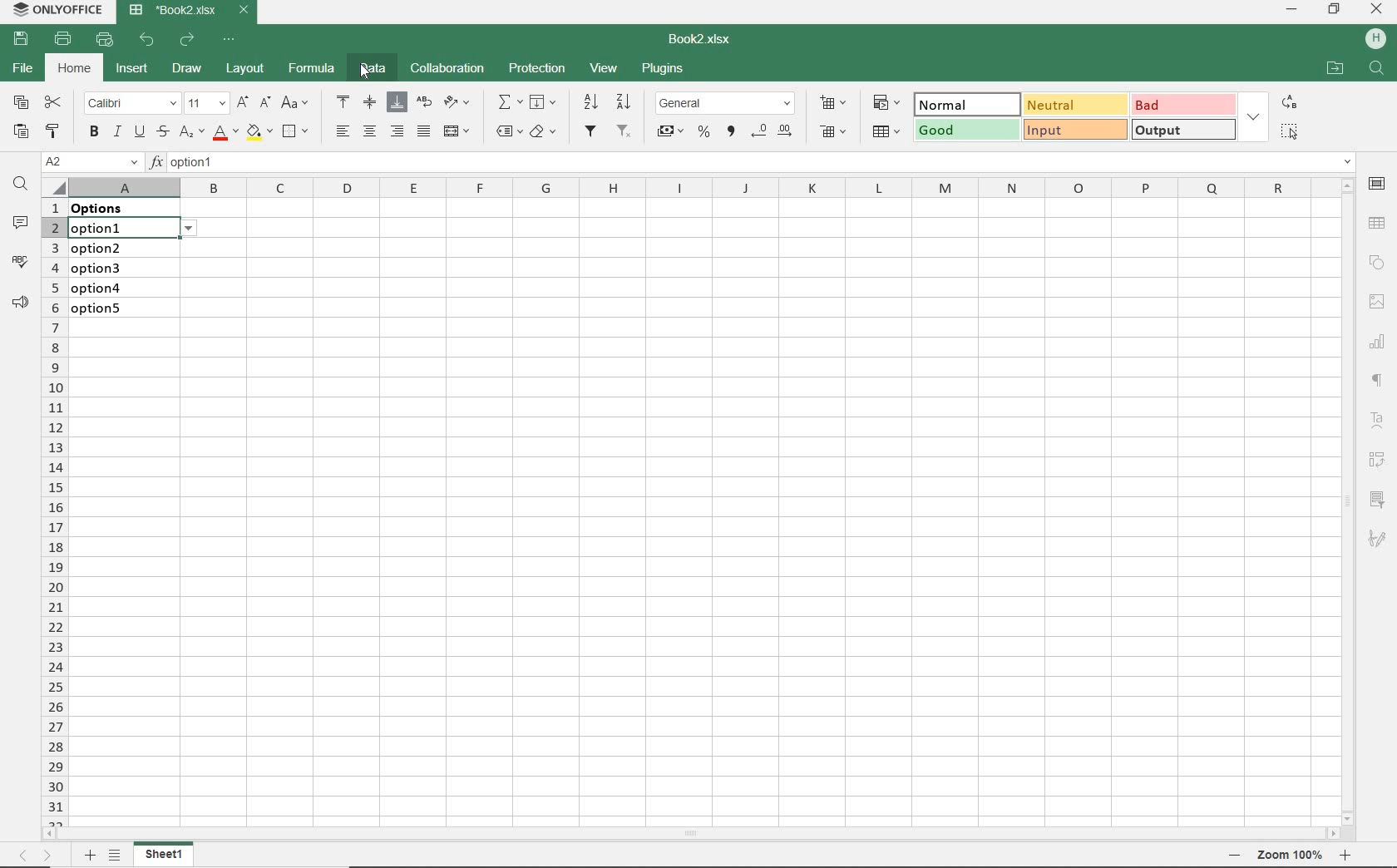  What do you see at coordinates (1335, 67) in the screenshot?
I see `OPEN FILE LOCATION` at bounding box center [1335, 67].